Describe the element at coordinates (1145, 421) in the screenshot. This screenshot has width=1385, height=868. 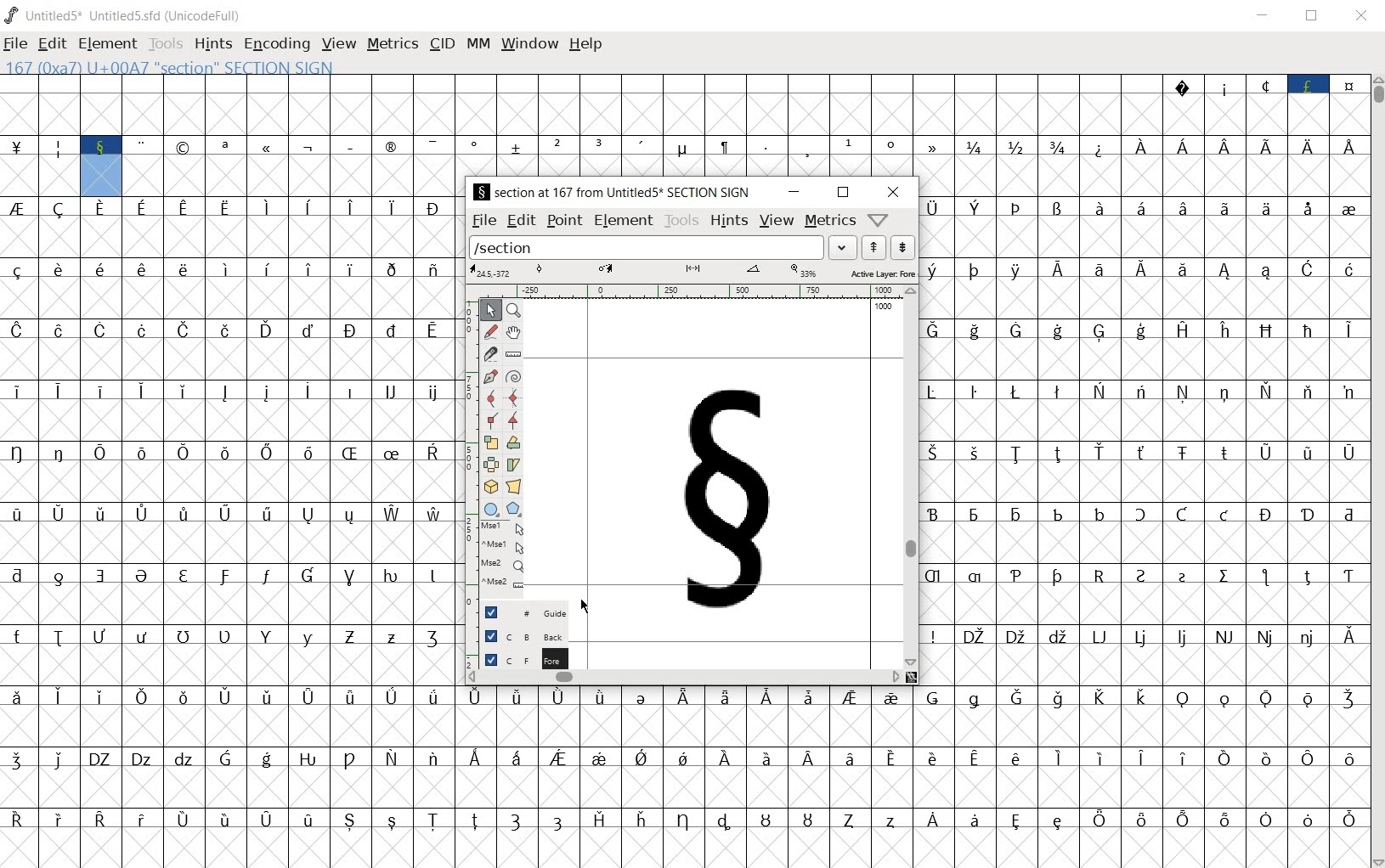
I see `empty cells` at that location.